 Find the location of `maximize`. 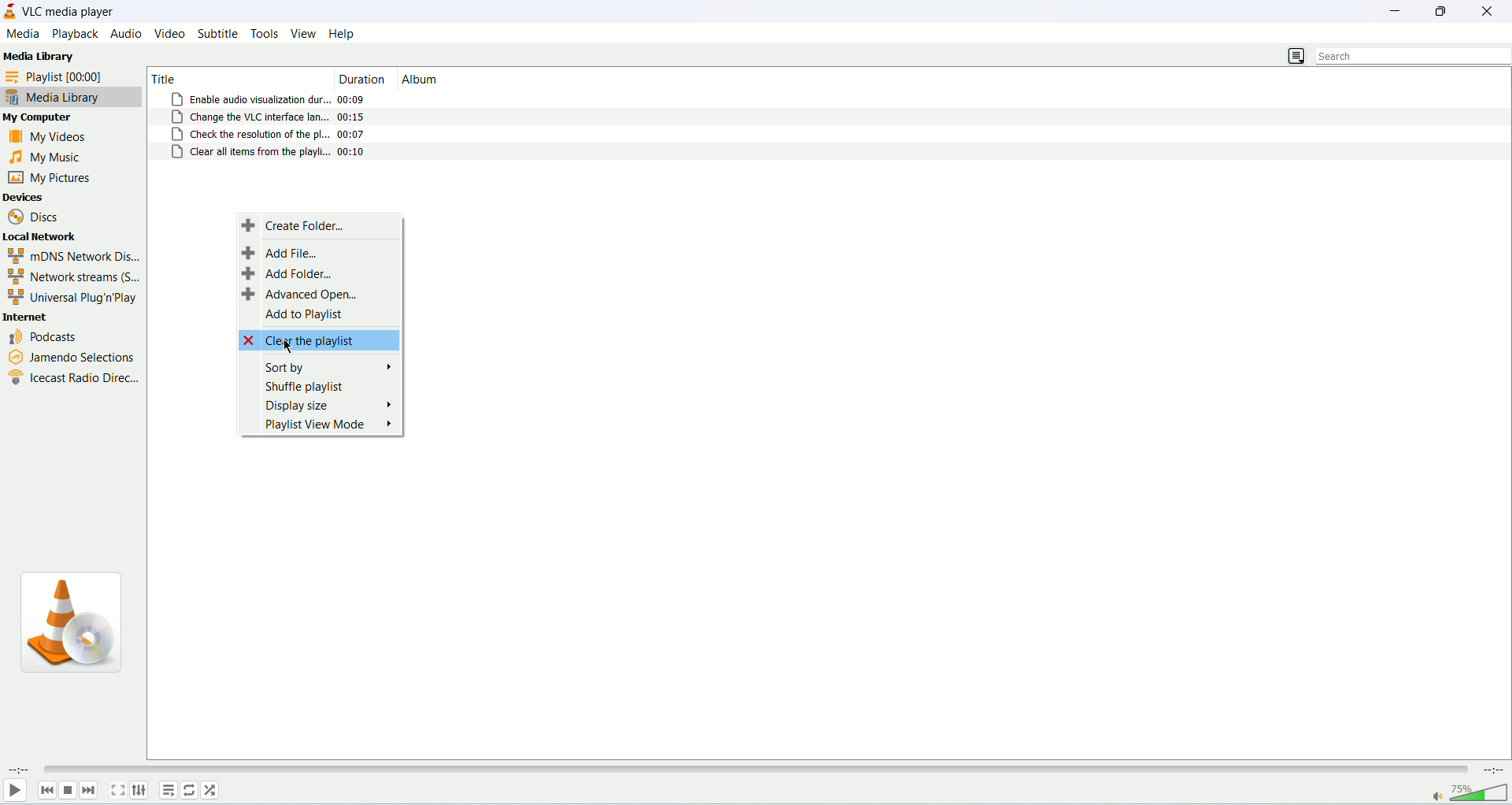

maximize is located at coordinates (1443, 12).